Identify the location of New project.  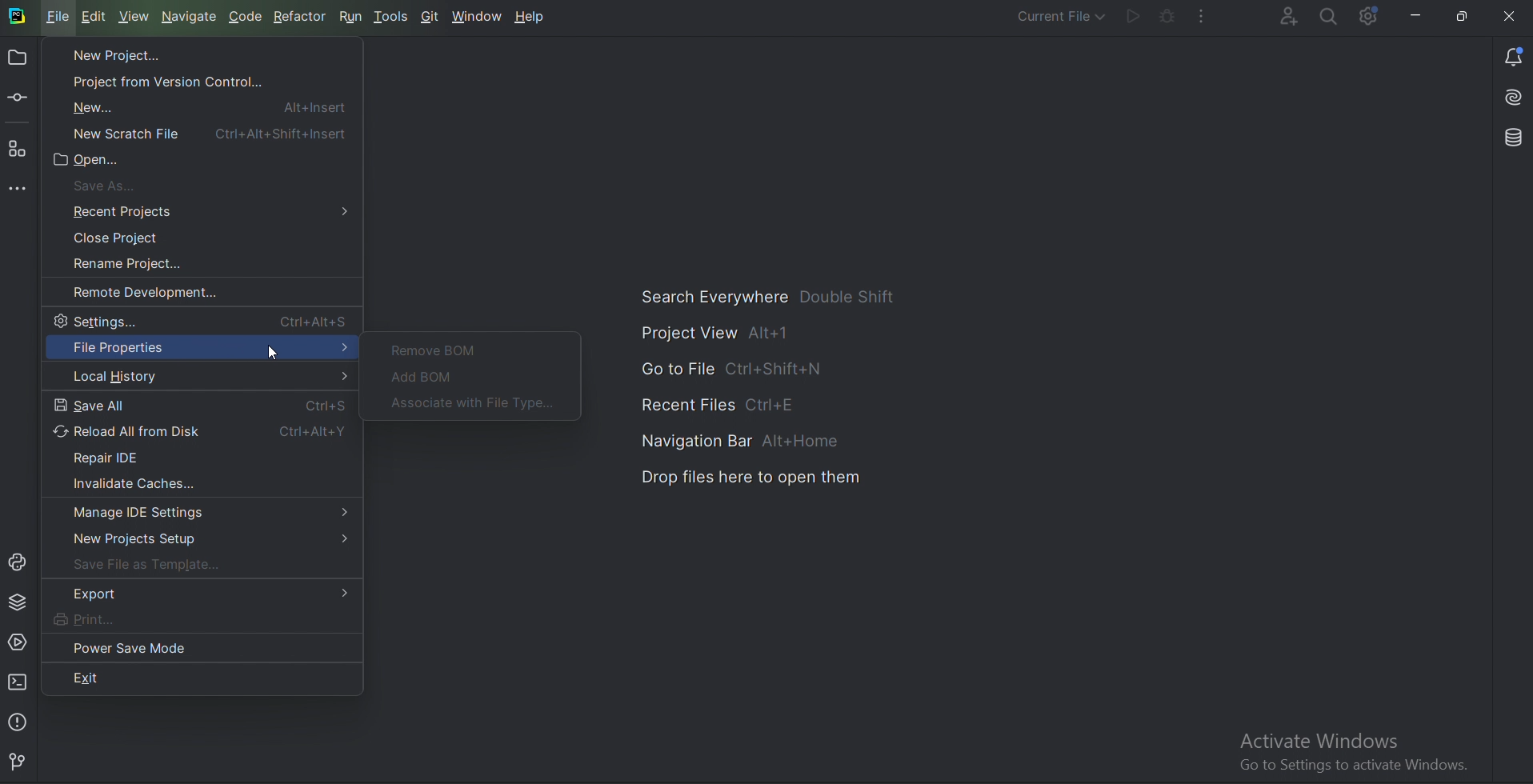
(110, 54).